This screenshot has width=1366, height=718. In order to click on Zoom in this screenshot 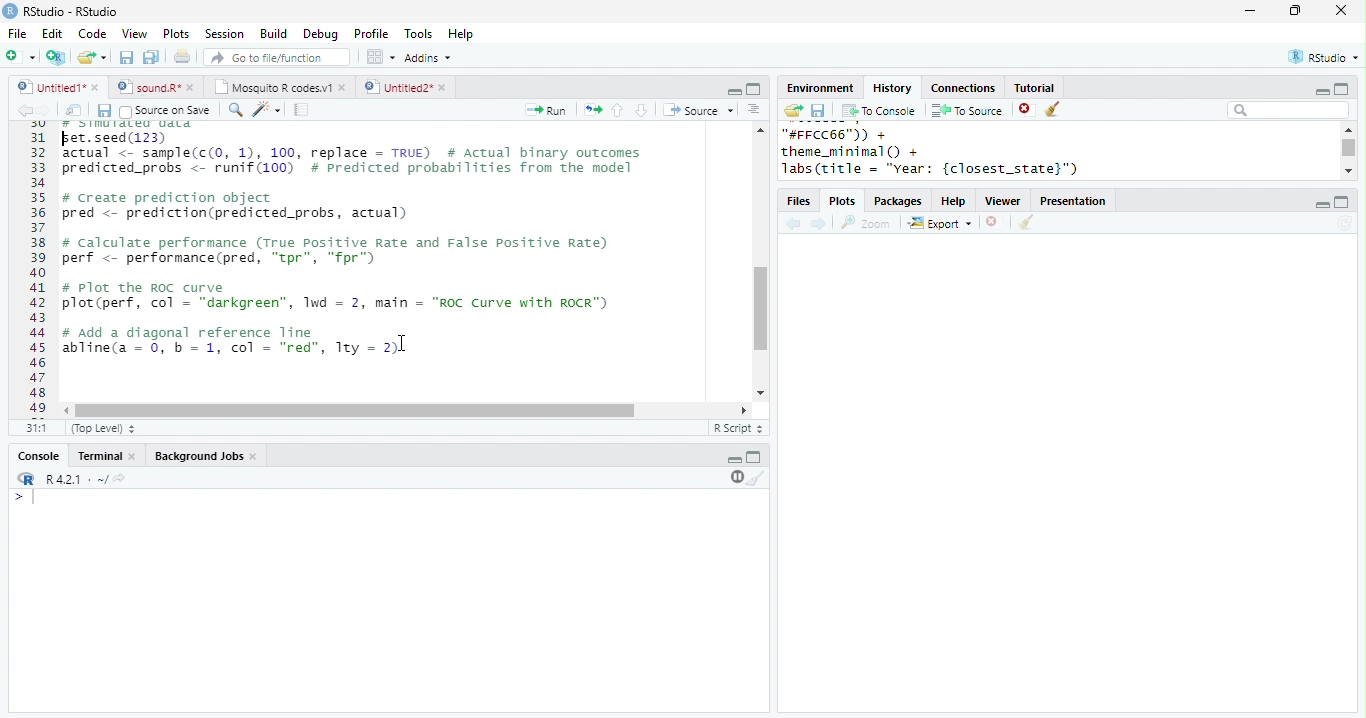, I will do `click(866, 223)`.